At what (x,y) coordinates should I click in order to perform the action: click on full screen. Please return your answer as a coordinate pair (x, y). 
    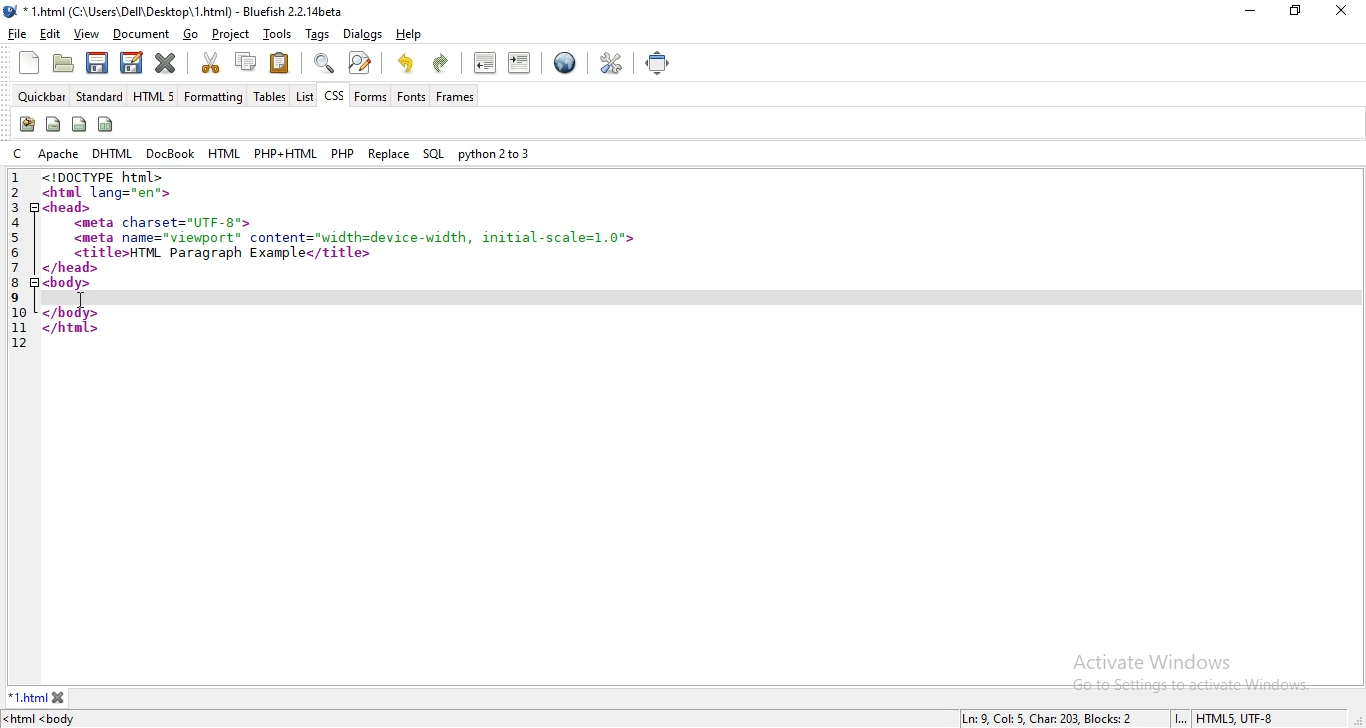
    Looking at the image, I should click on (659, 61).